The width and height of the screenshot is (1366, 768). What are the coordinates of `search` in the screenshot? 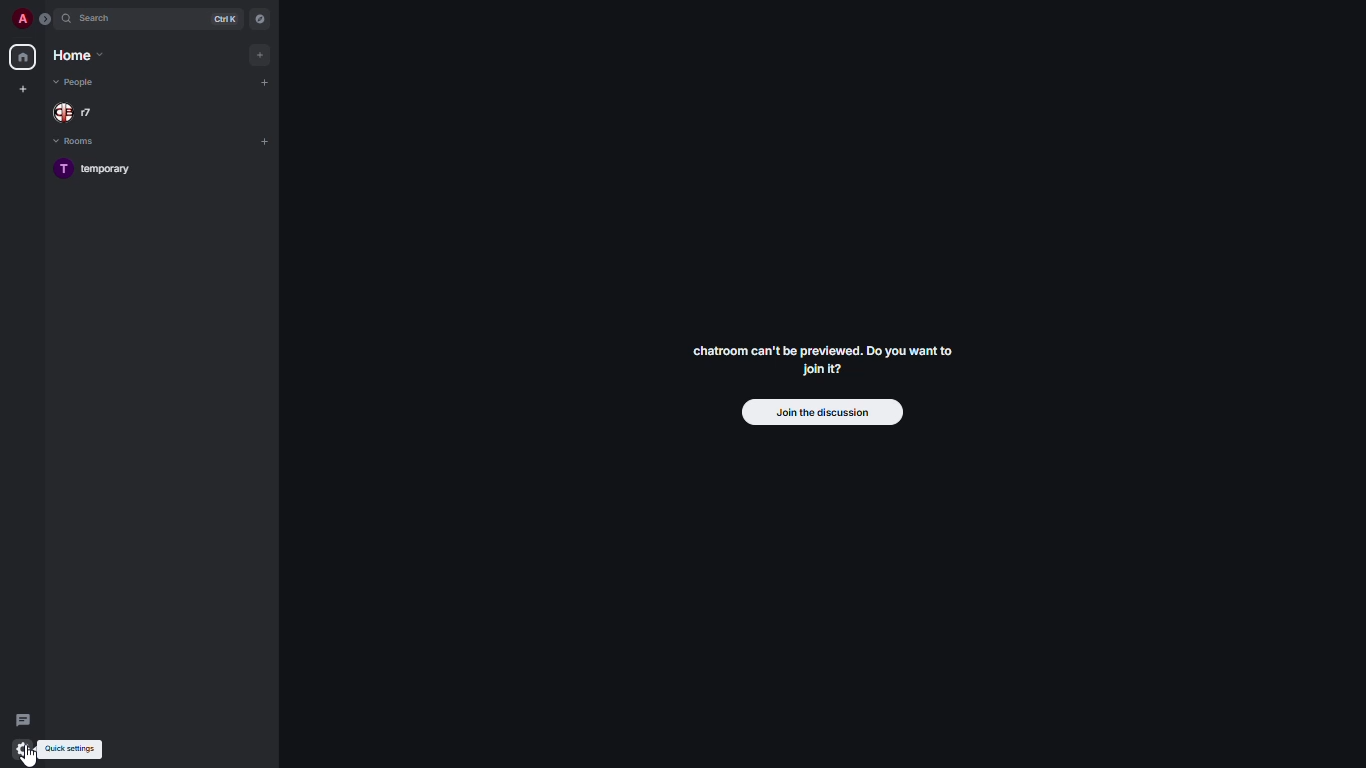 It's located at (100, 18).